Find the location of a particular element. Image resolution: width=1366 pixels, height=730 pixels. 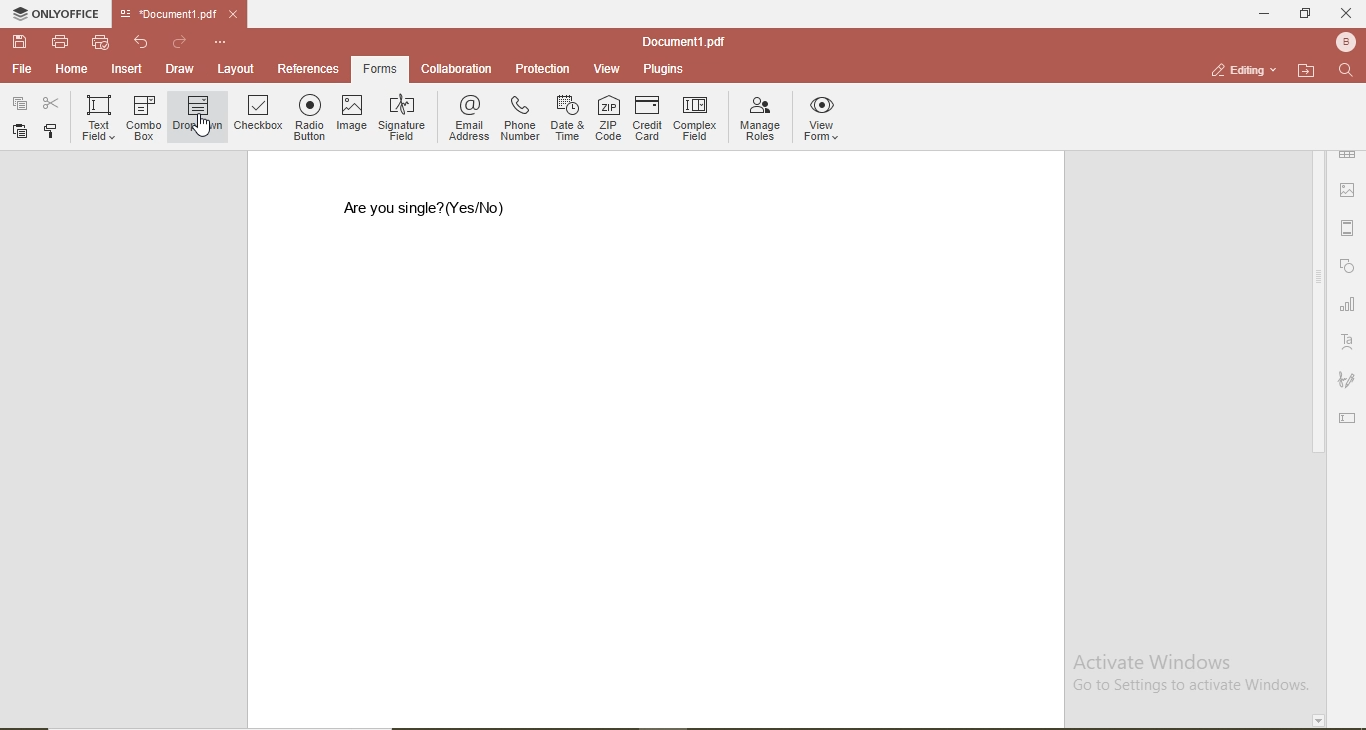

redo is located at coordinates (180, 43).